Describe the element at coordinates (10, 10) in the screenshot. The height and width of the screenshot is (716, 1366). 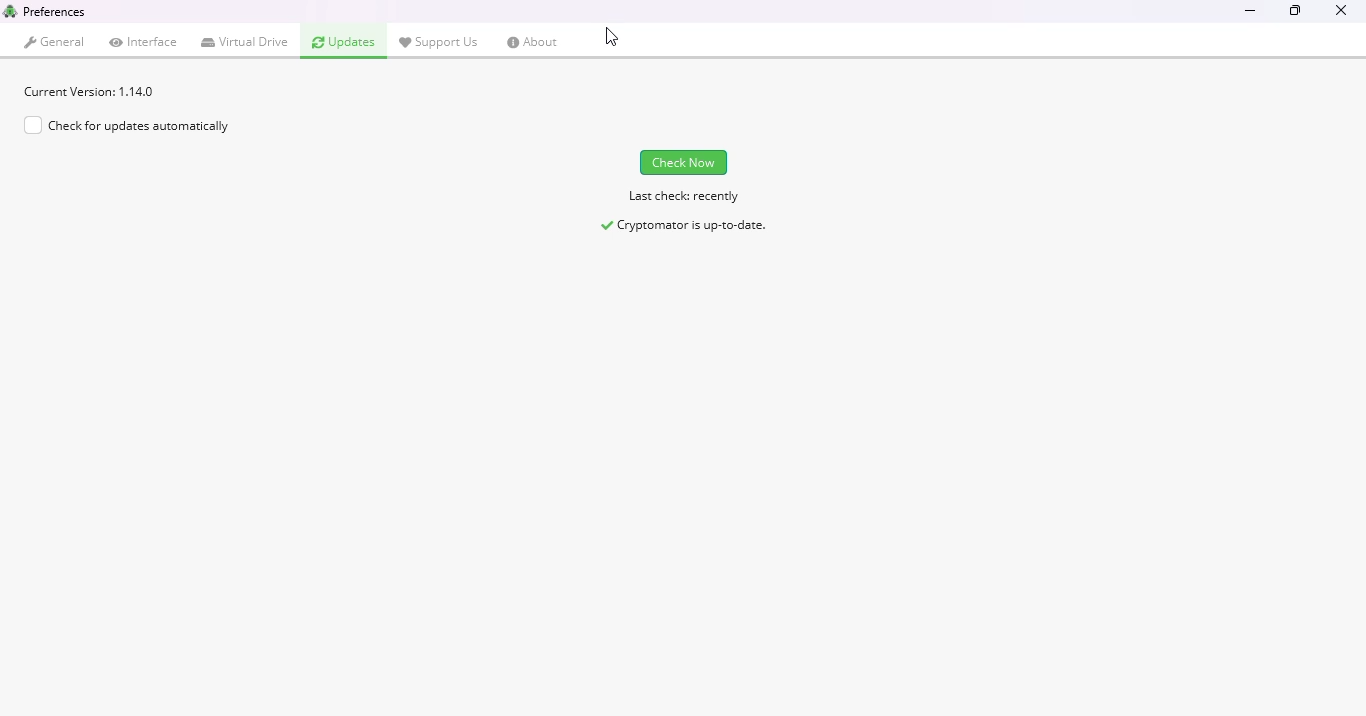
I see `logo` at that location.